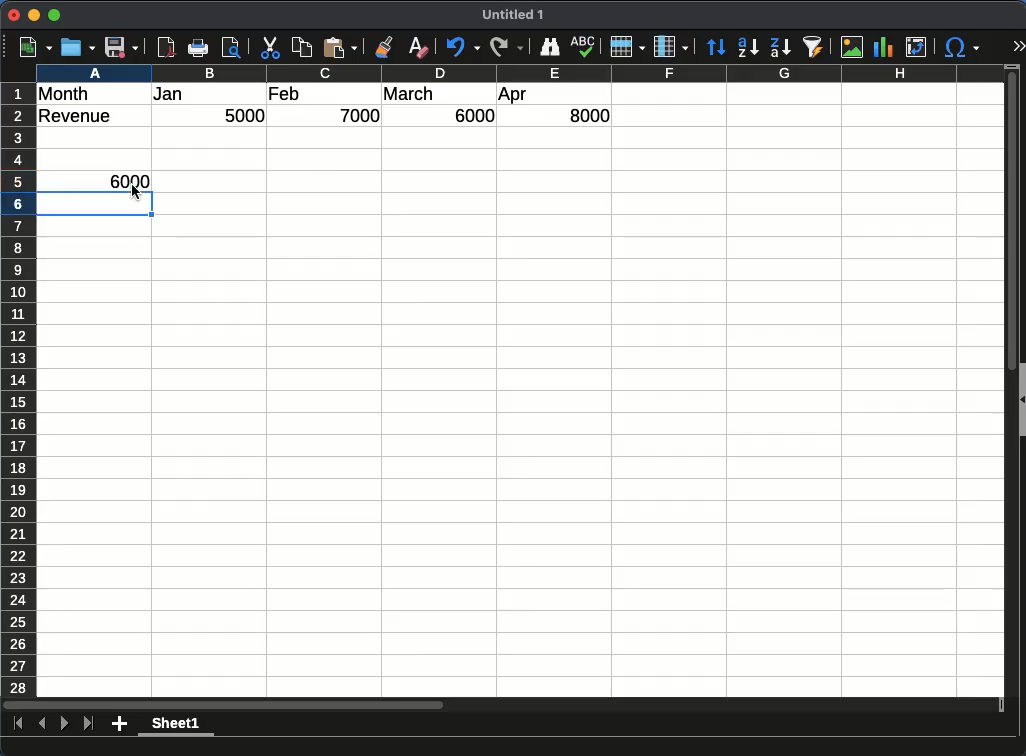 This screenshot has height=756, width=1026. I want to click on previous sheet, so click(42, 723).